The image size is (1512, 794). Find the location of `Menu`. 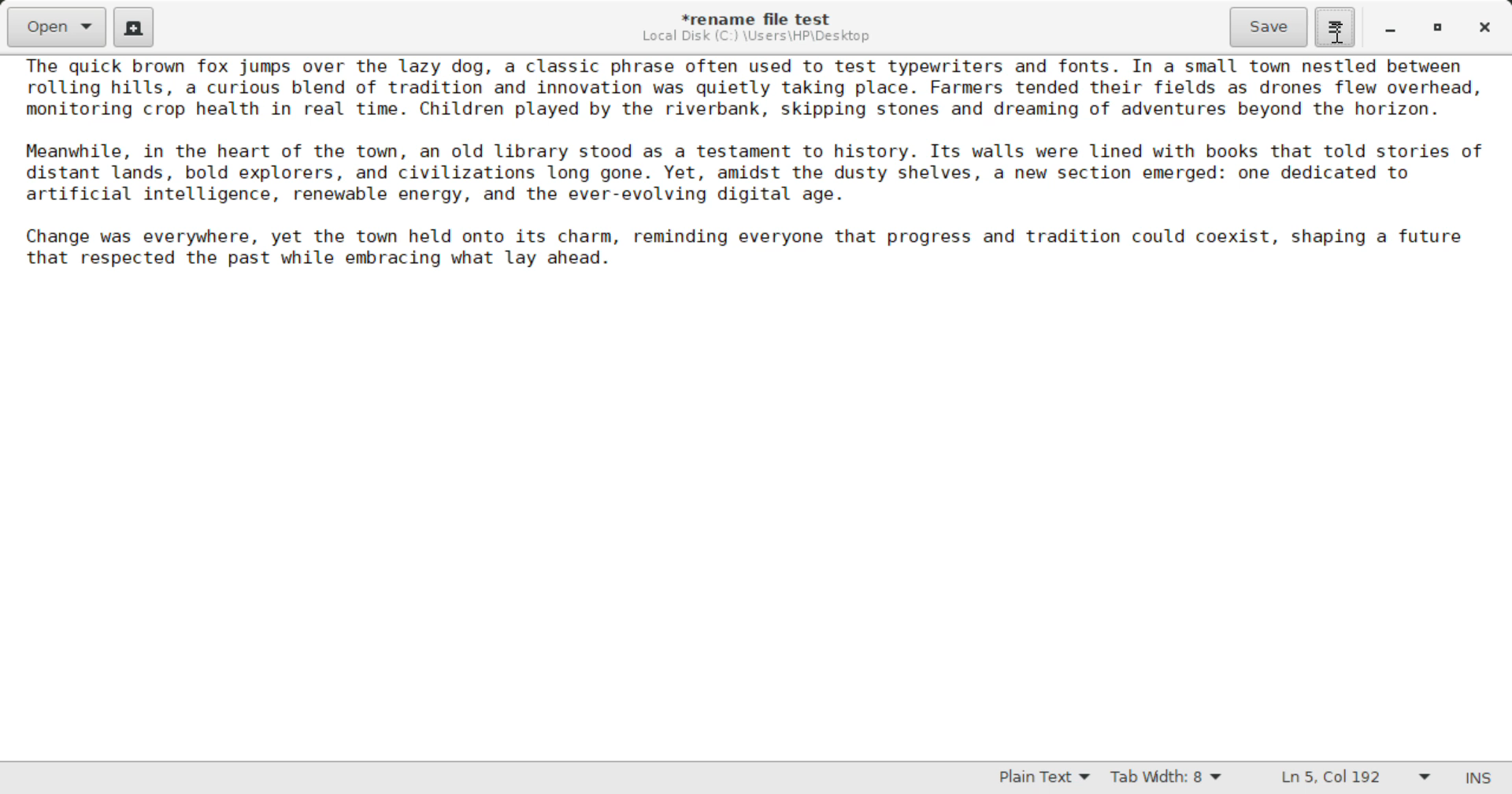

Menu is located at coordinates (1334, 25).